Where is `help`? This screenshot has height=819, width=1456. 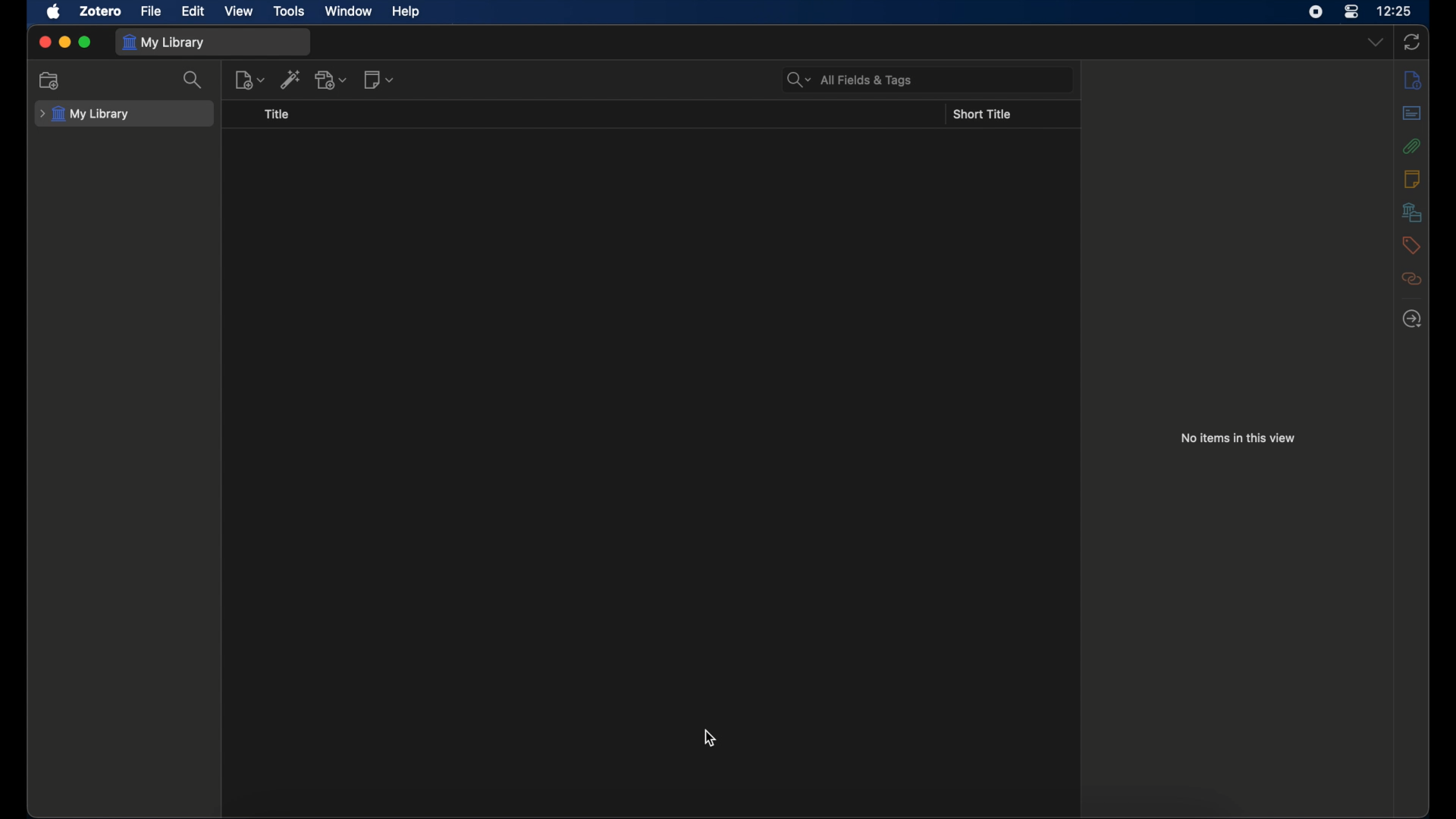
help is located at coordinates (405, 12).